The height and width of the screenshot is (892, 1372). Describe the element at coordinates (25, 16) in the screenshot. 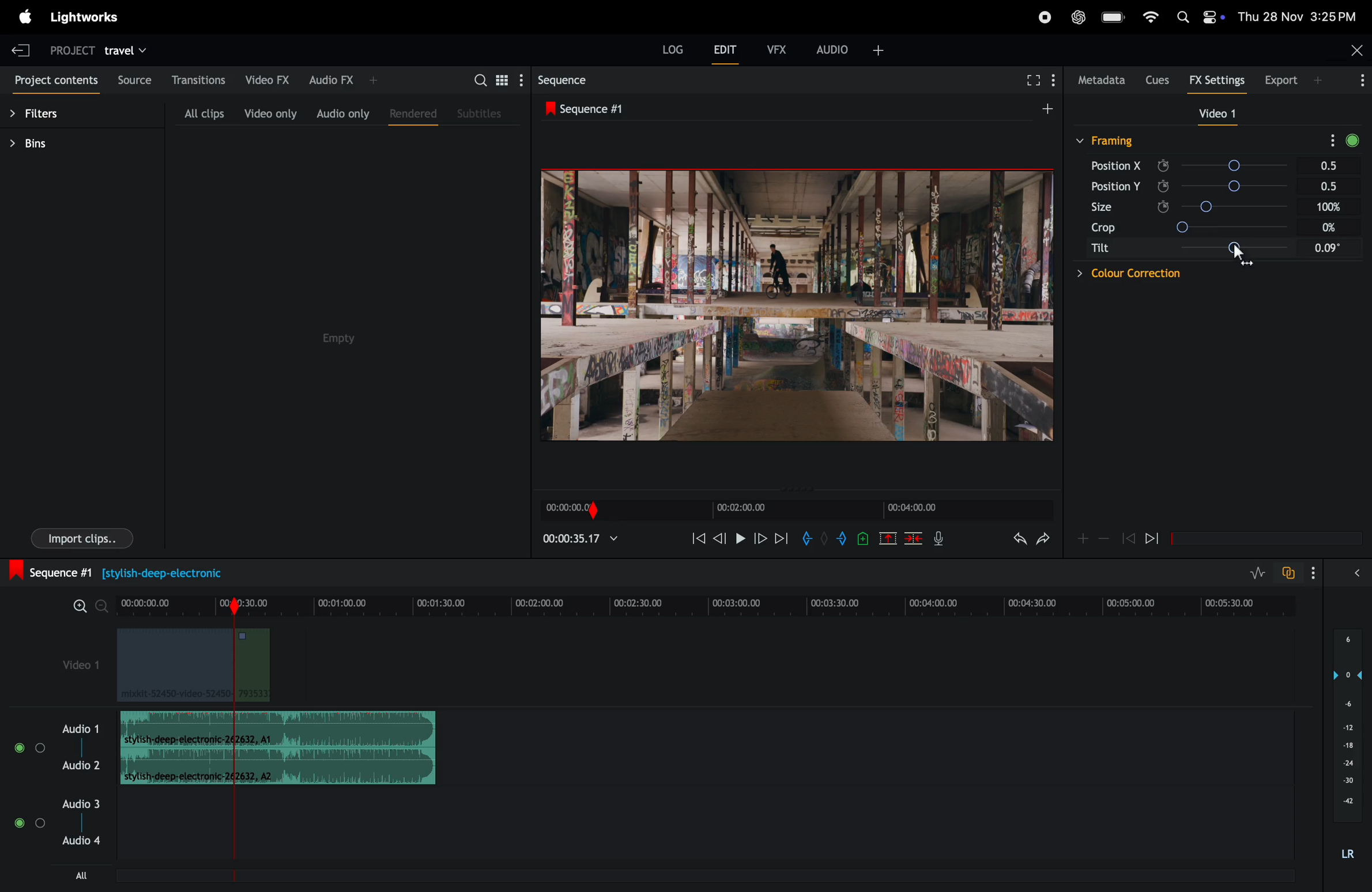

I see `light works` at that location.